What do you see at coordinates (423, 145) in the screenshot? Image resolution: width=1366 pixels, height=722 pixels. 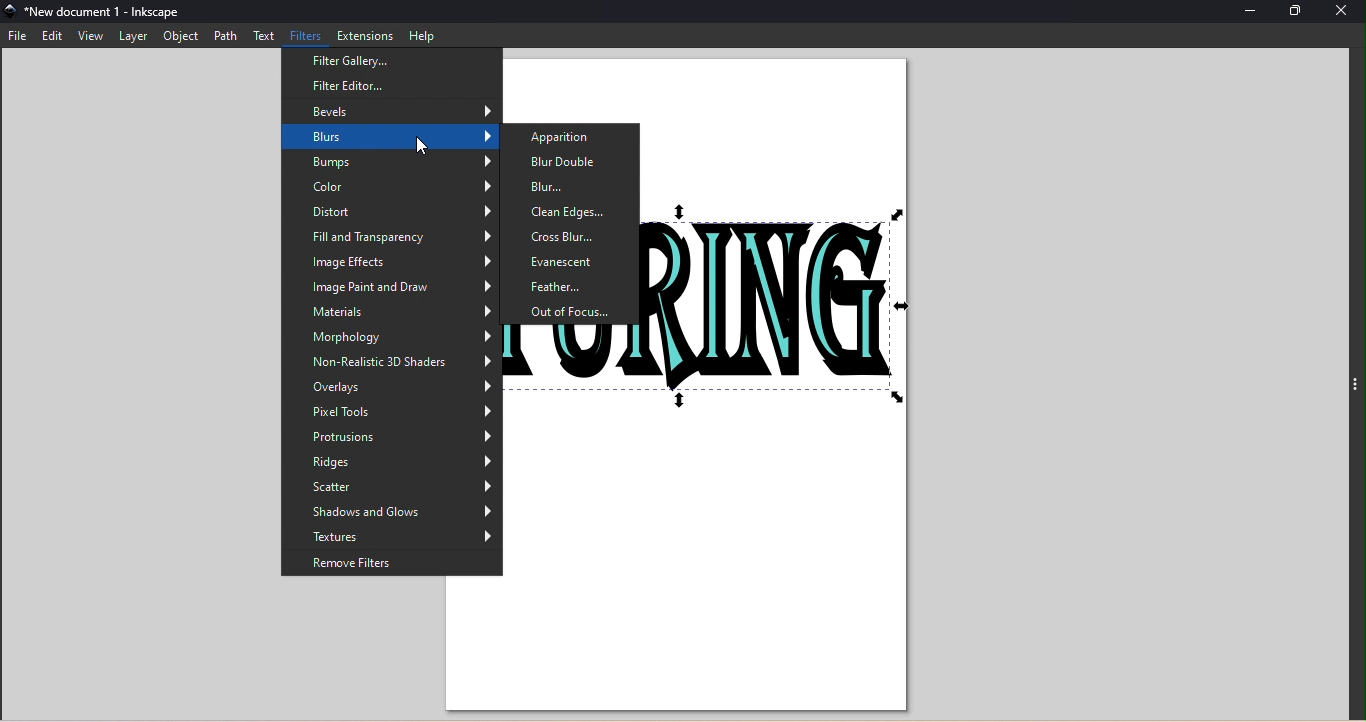 I see `cursor` at bounding box center [423, 145].